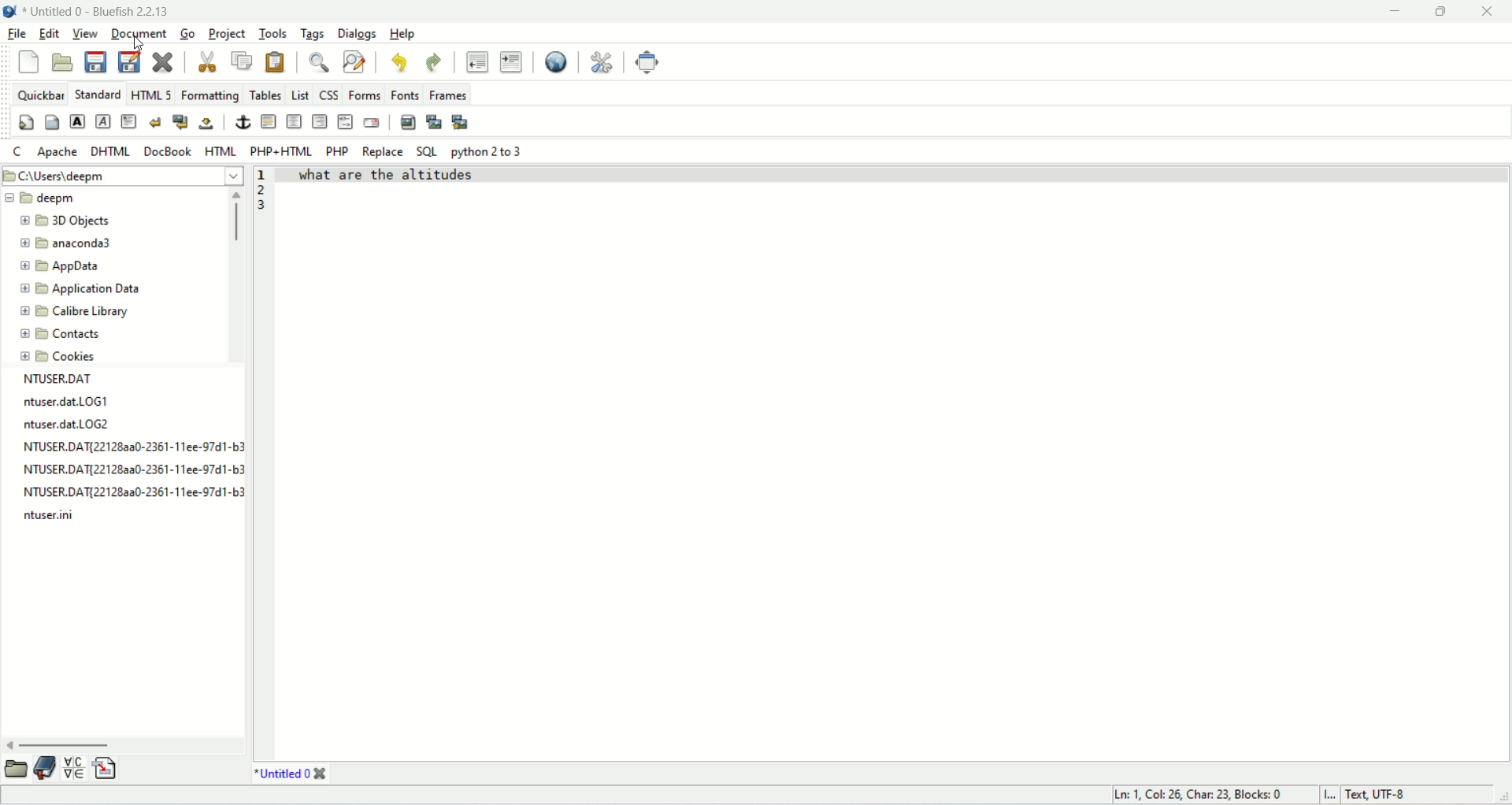 This screenshot has height=805, width=1512. I want to click on list, so click(299, 92).